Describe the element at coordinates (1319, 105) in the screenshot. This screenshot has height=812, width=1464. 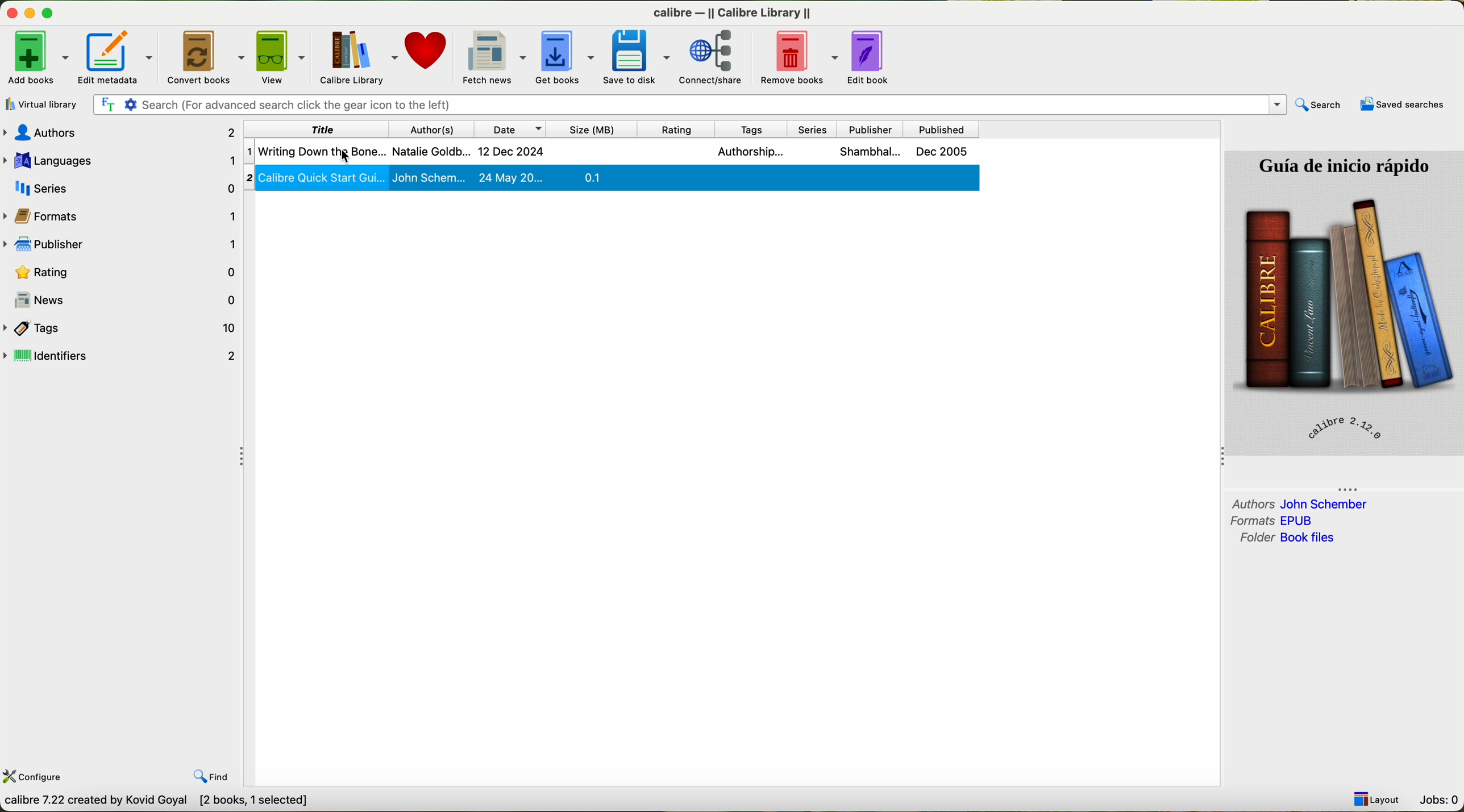
I see `search` at that location.